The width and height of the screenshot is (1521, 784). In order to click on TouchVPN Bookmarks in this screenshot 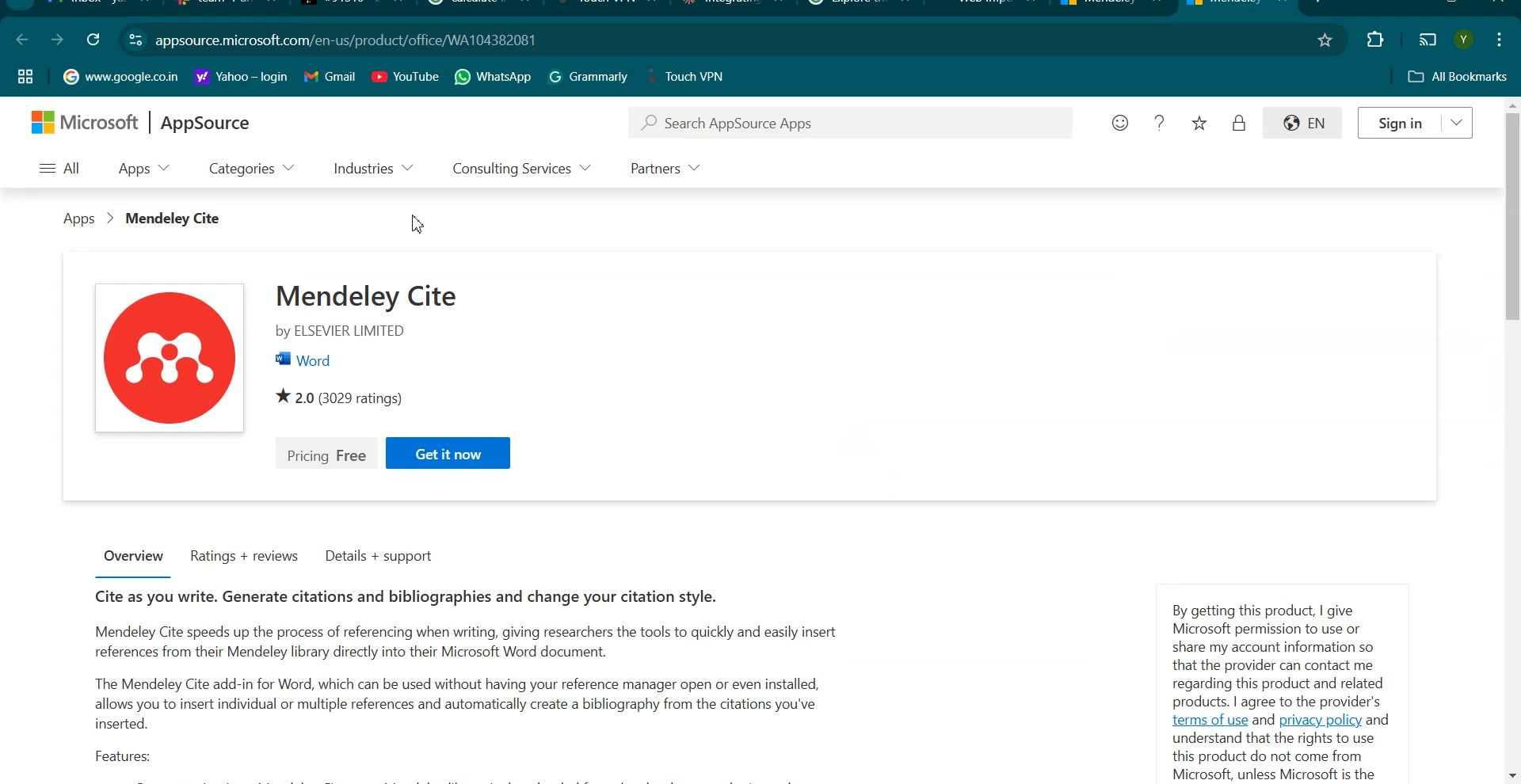, I will do `click(690, 76)`.